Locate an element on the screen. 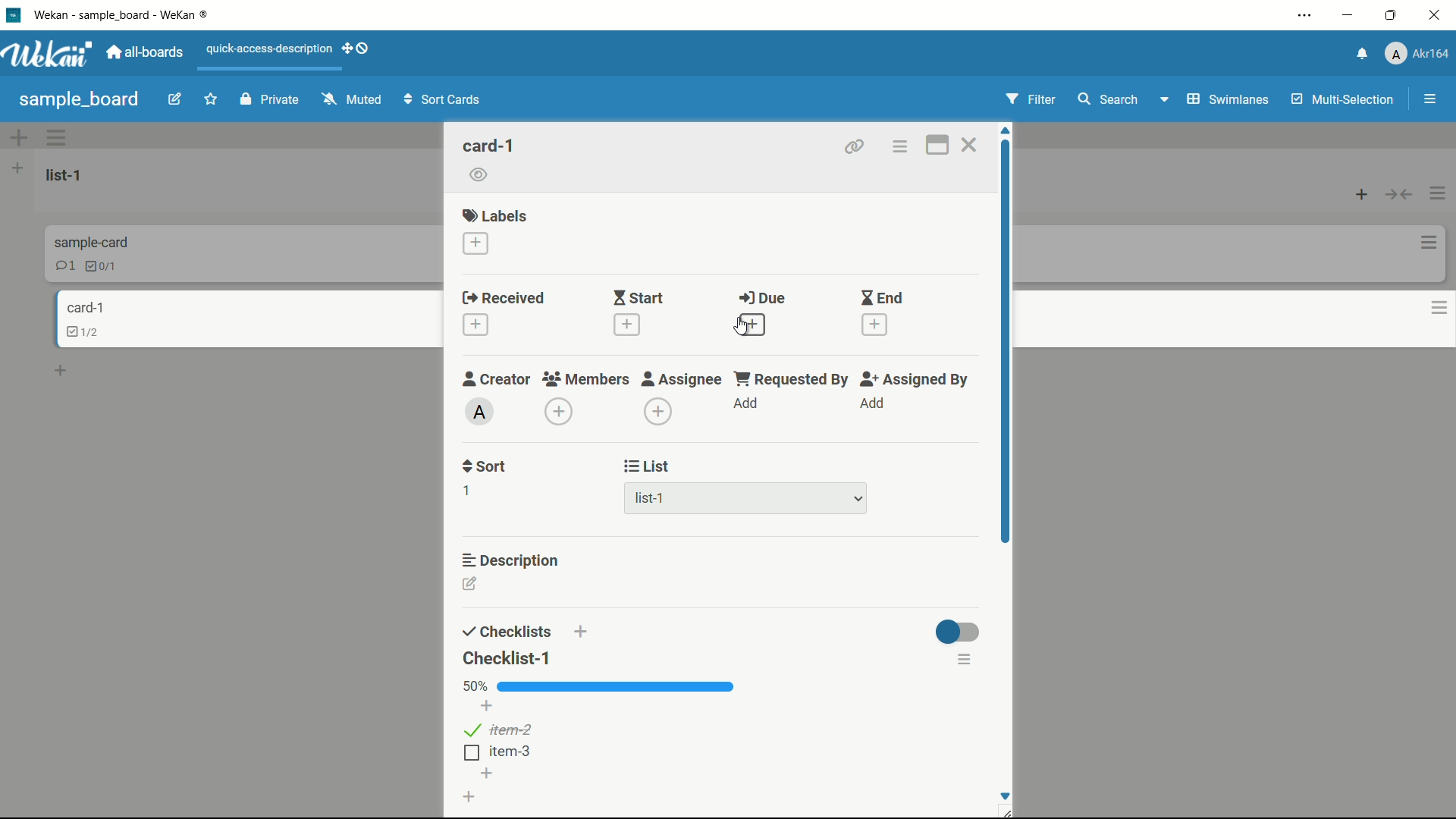 The image size is (1456, 819). Akr164 is located at coordinates (1414, 54).